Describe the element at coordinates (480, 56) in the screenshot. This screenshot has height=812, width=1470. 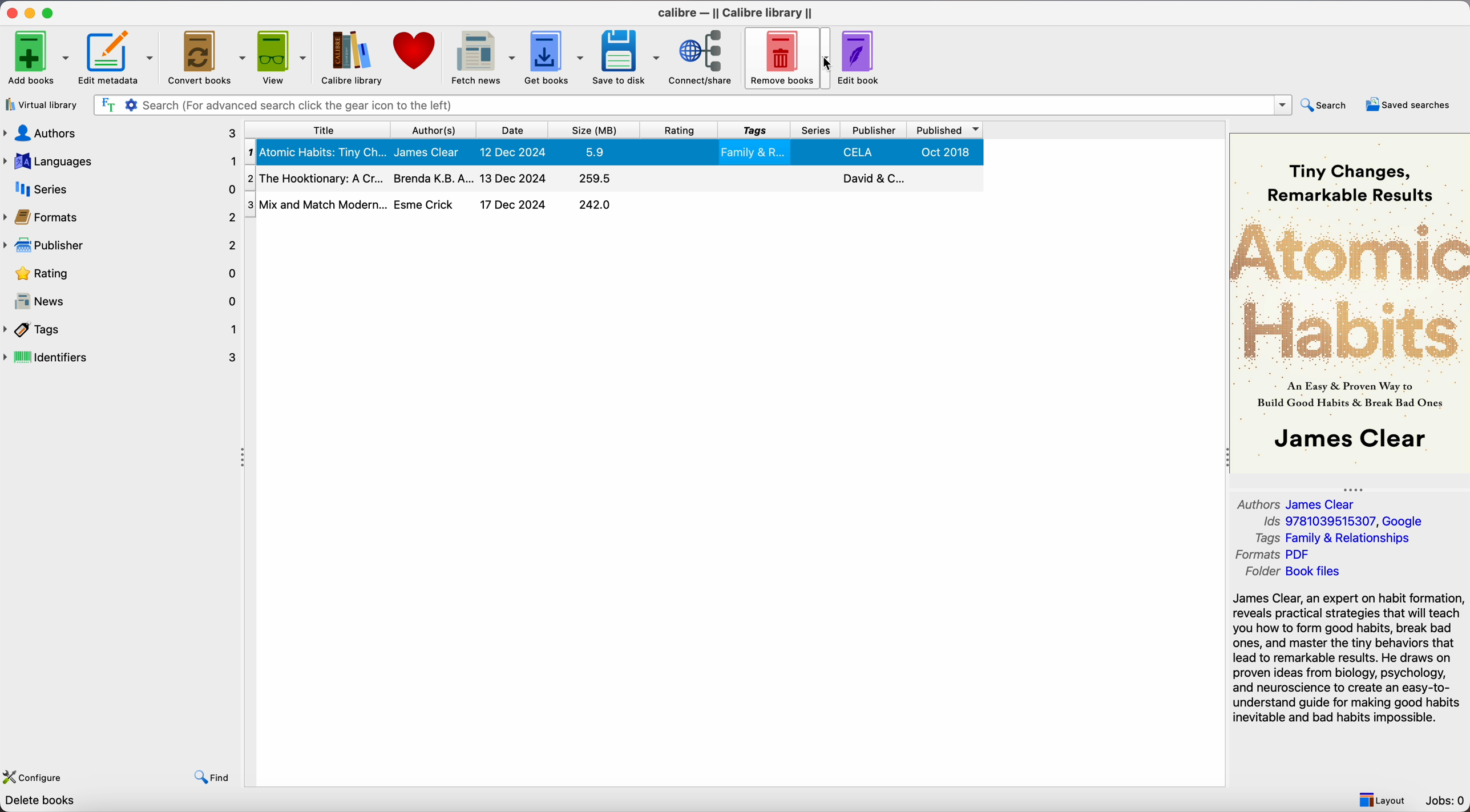
I see `fetch news` at that location.